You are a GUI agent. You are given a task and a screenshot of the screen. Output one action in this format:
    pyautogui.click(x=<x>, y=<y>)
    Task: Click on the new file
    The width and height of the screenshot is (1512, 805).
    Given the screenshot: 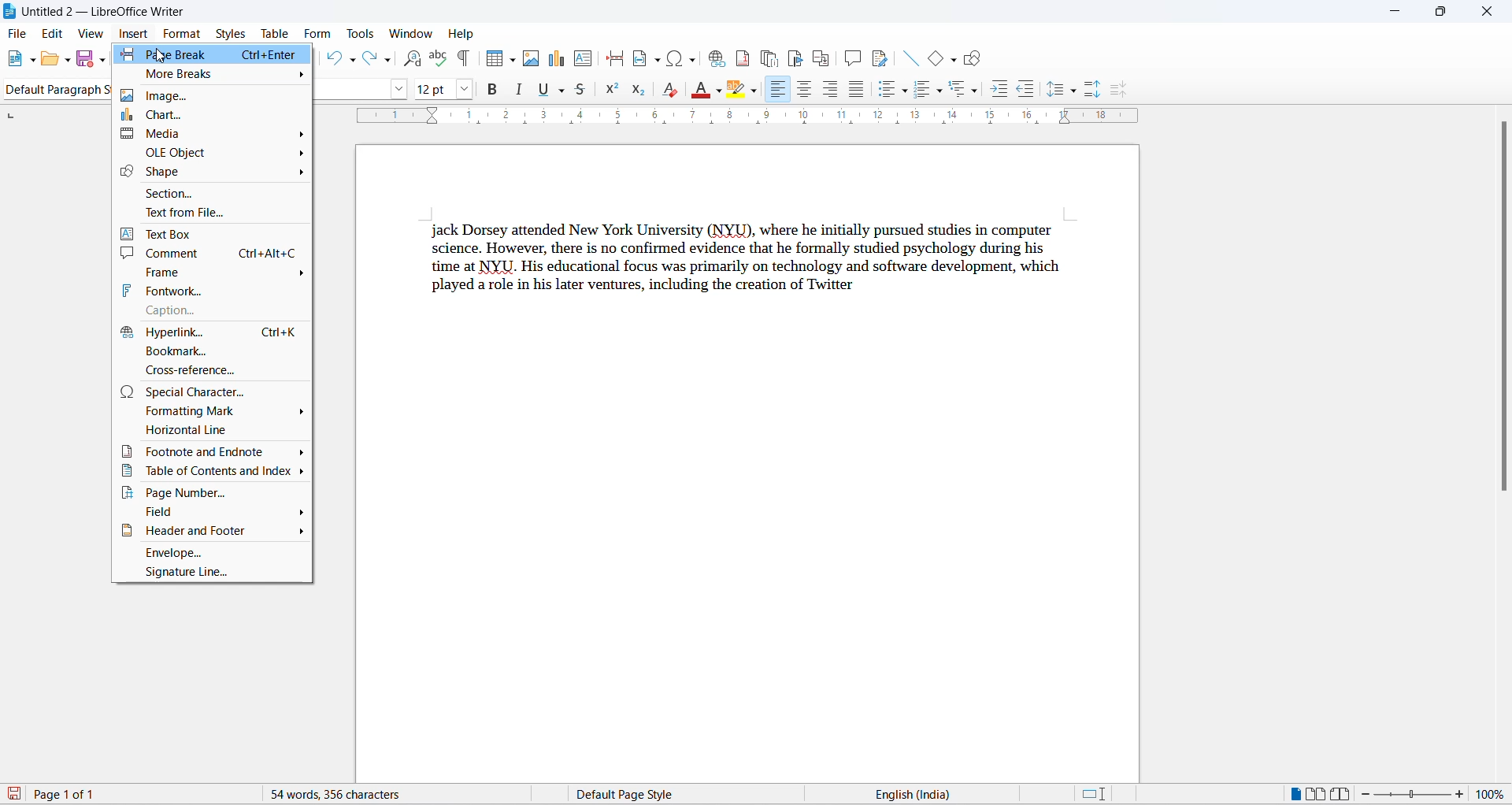 What is the action you would take?
    pyautogui.click(x=17, y=58)
    